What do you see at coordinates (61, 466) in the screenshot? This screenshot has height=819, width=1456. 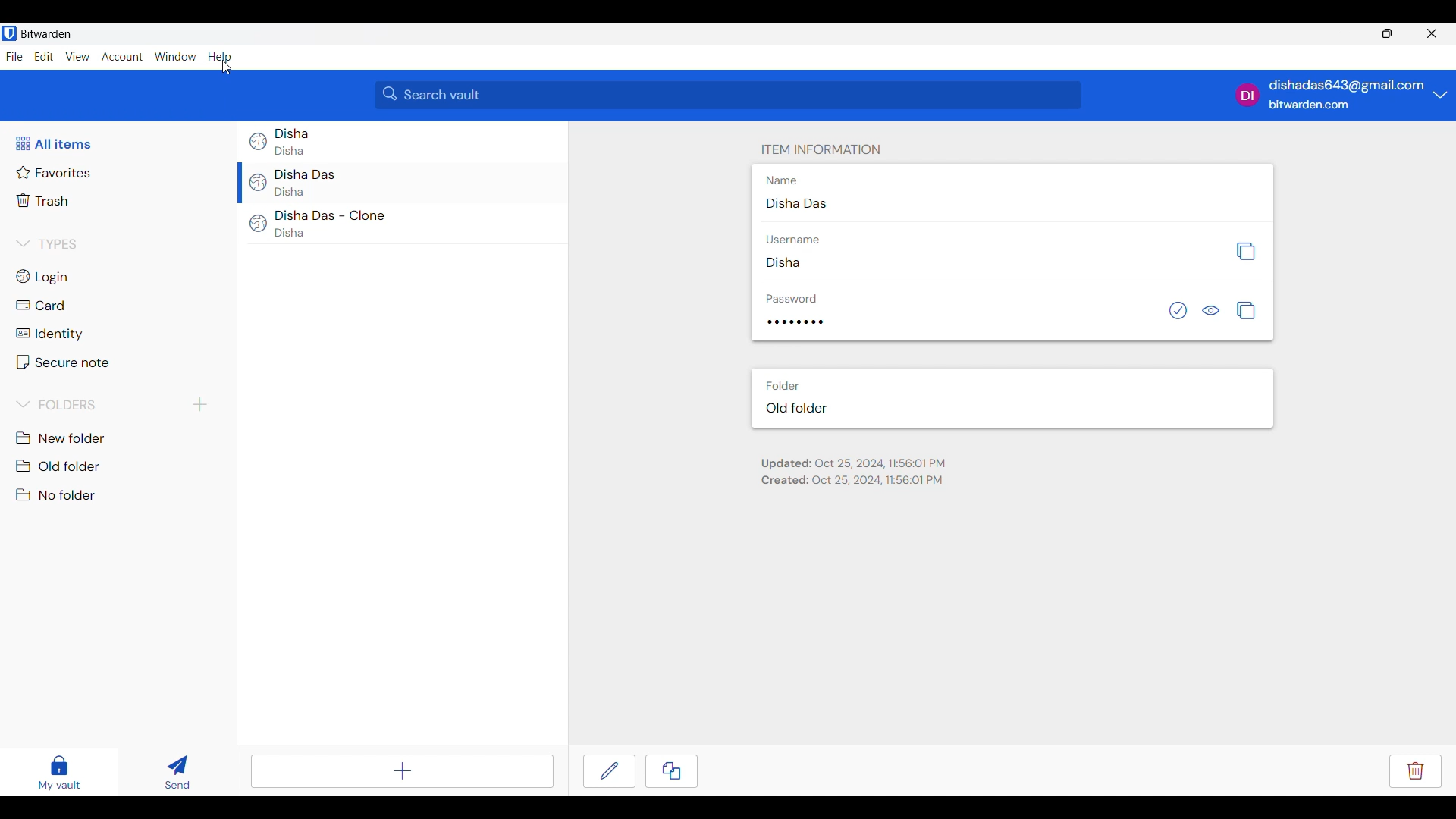 I see `Old folder` at bounding box center [61, 466].